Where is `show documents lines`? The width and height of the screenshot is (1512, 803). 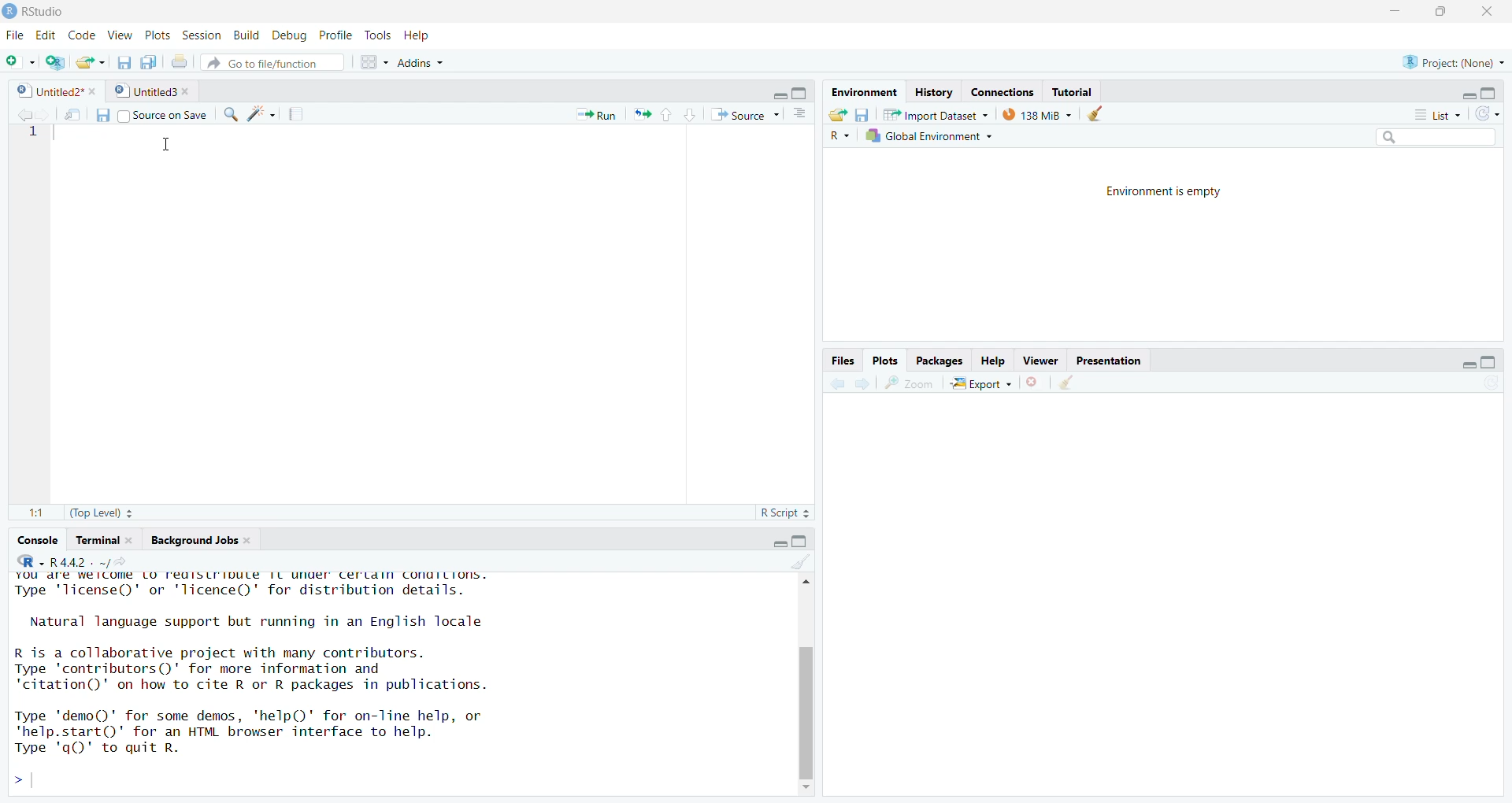 show documents lines is located at coordinates (802, 111).